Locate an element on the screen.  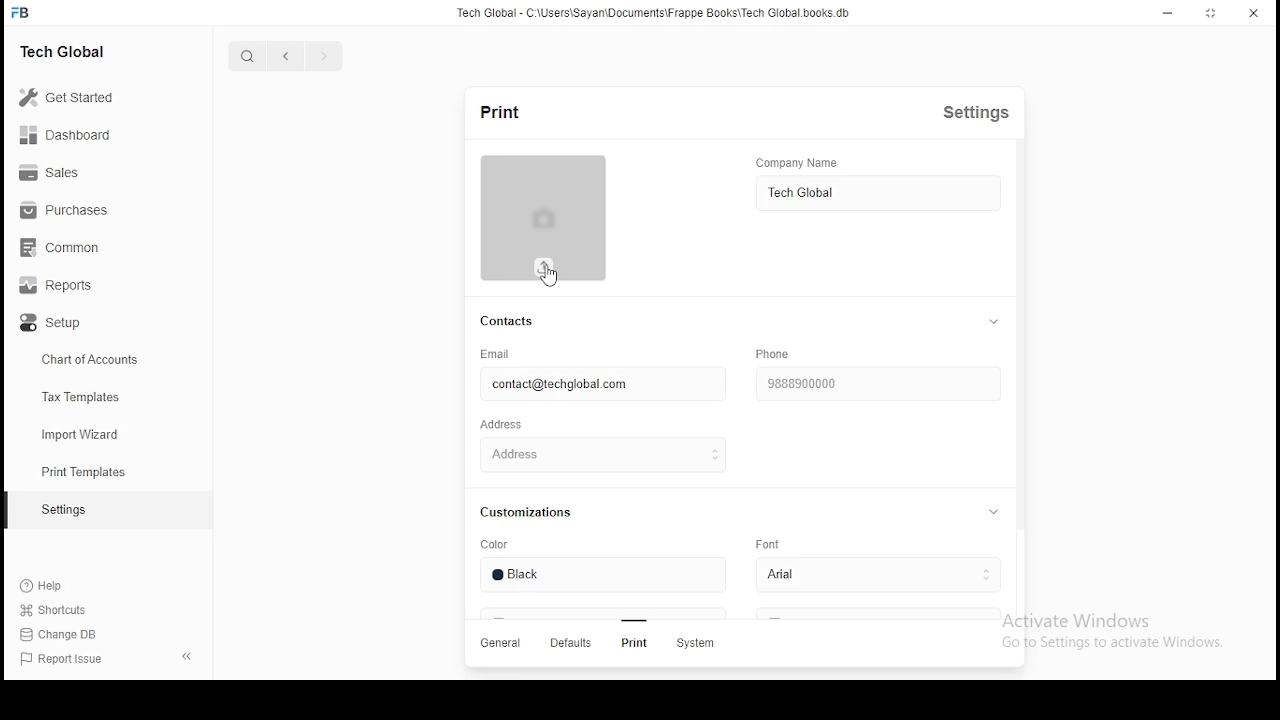
import wizard  is located at coordinates (82, 433).